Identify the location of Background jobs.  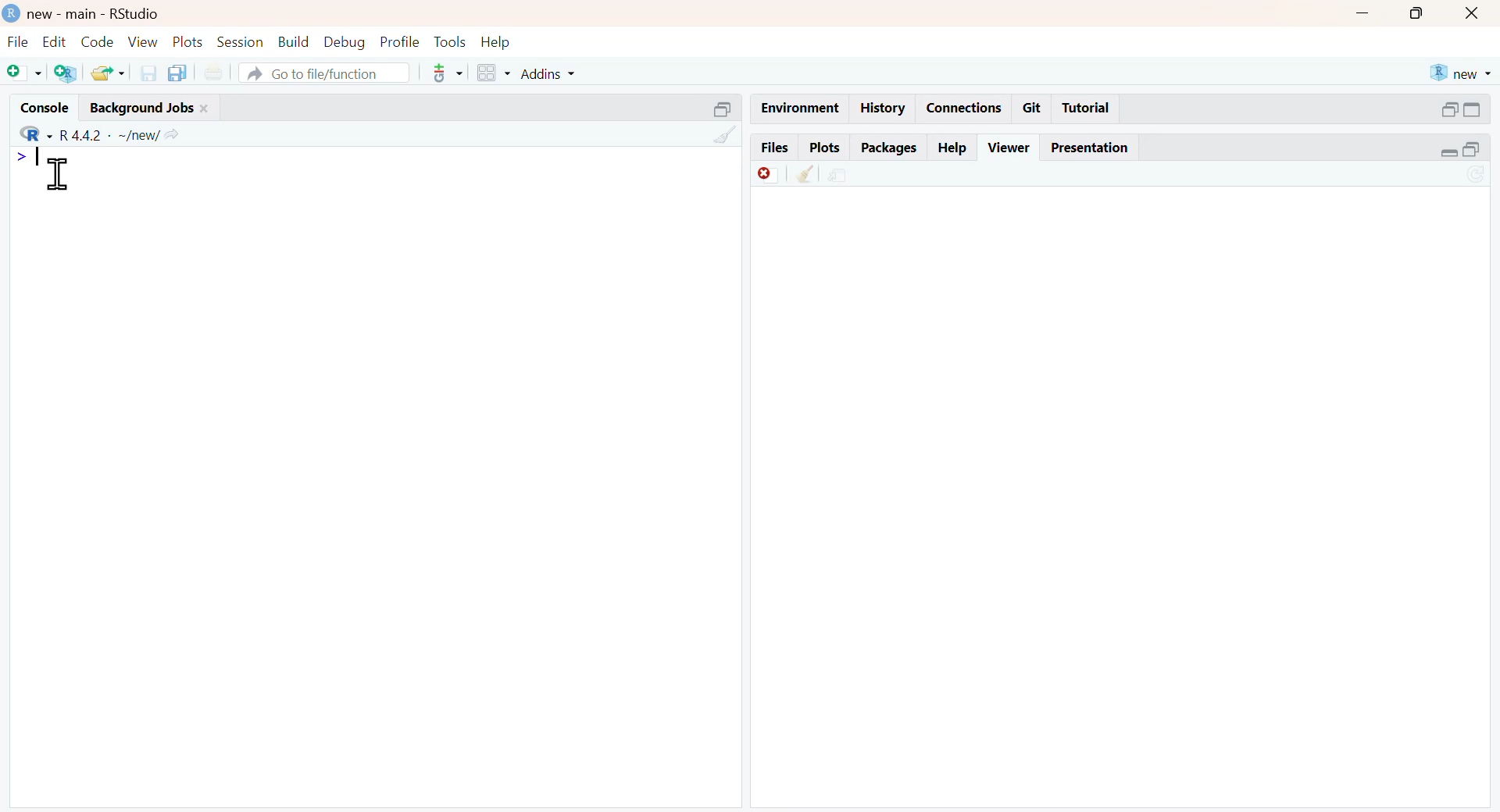
(143, 109).